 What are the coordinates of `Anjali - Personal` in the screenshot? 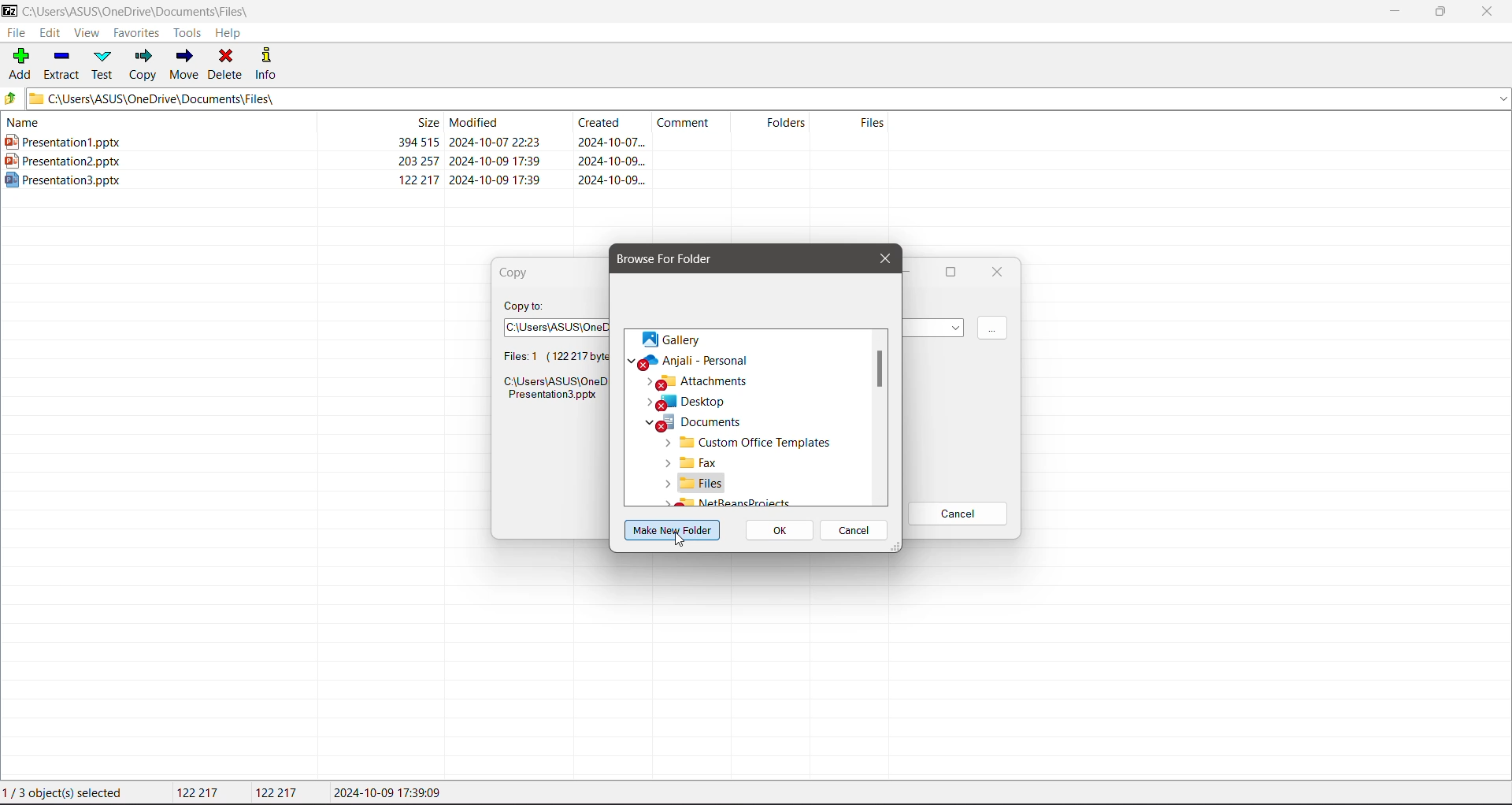 It's located at (711, 361).